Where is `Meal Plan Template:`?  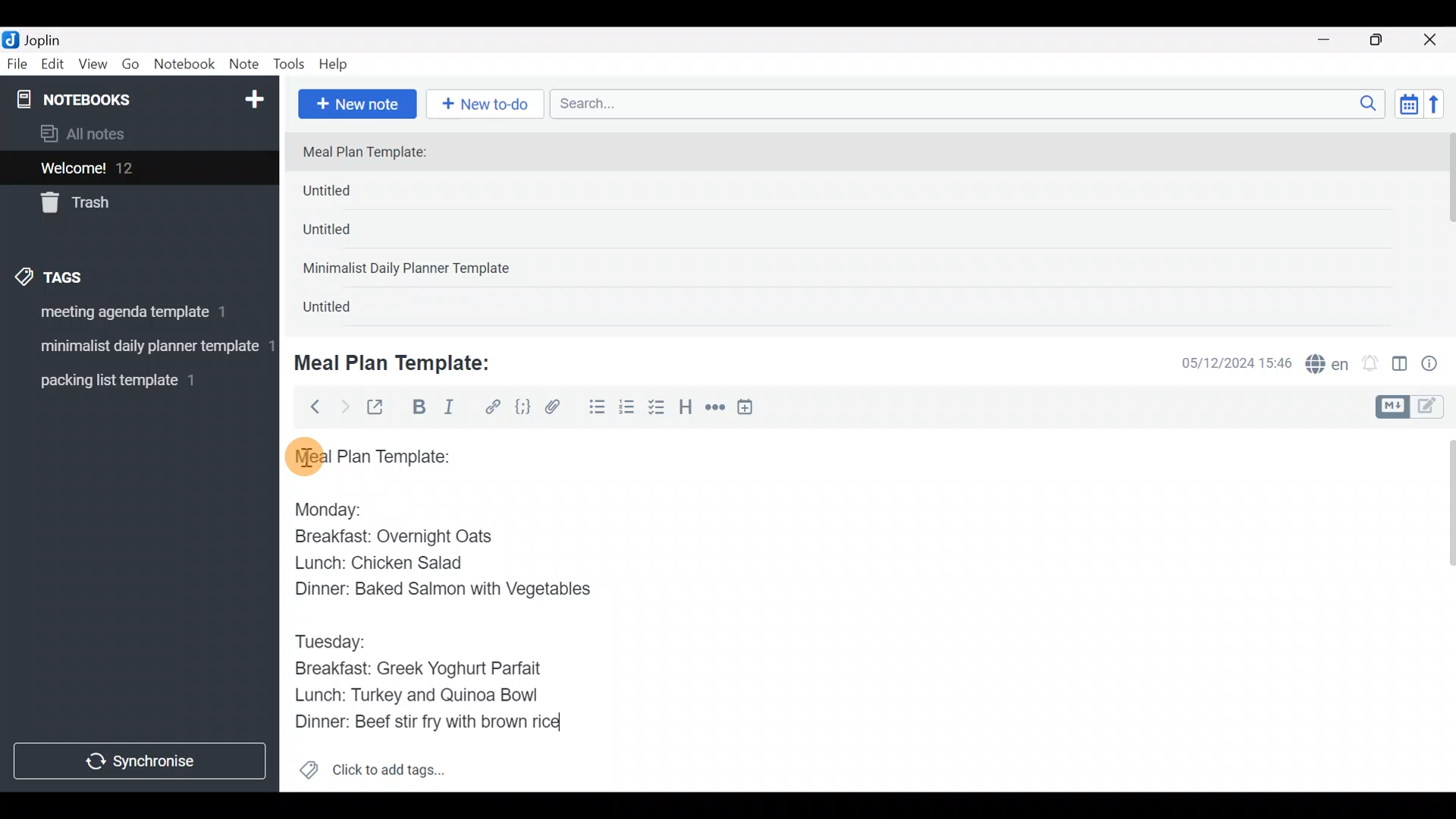 Meal Plan Template: is located at coordinates (402, 361).